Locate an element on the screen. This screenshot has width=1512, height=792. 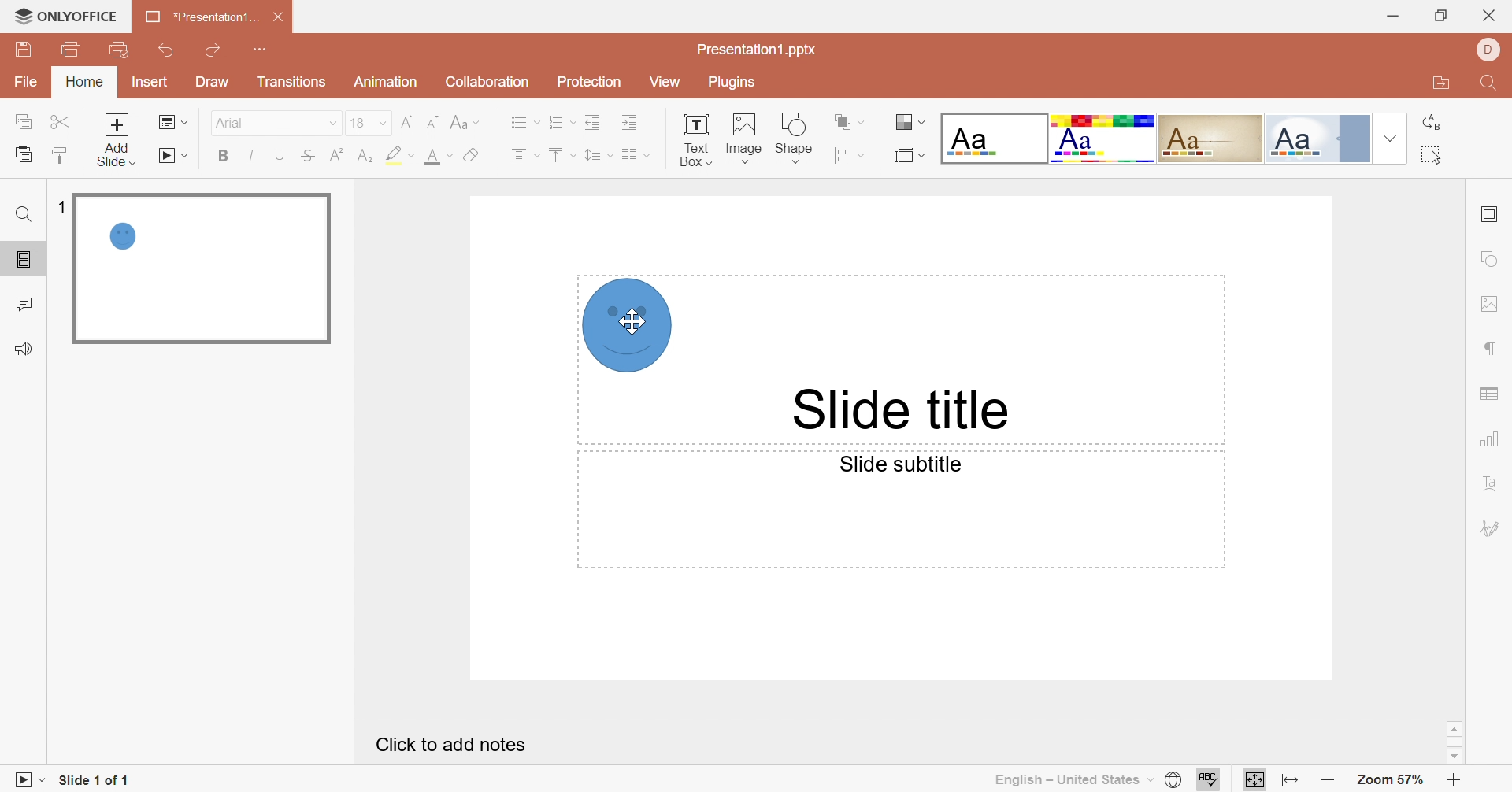
Basic is located at coordinates (1103, 139).